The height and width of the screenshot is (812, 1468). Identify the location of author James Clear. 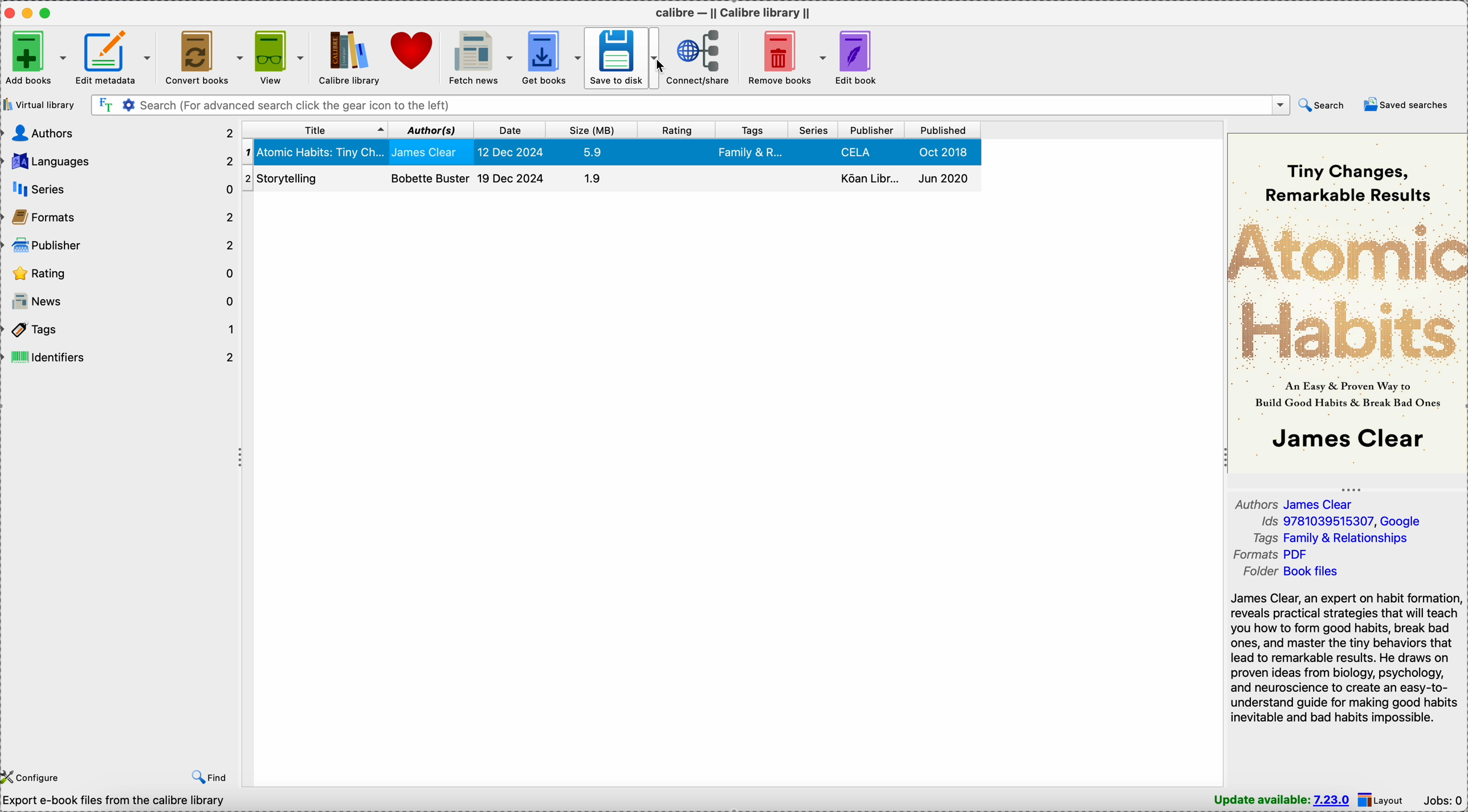
(1294, 503).